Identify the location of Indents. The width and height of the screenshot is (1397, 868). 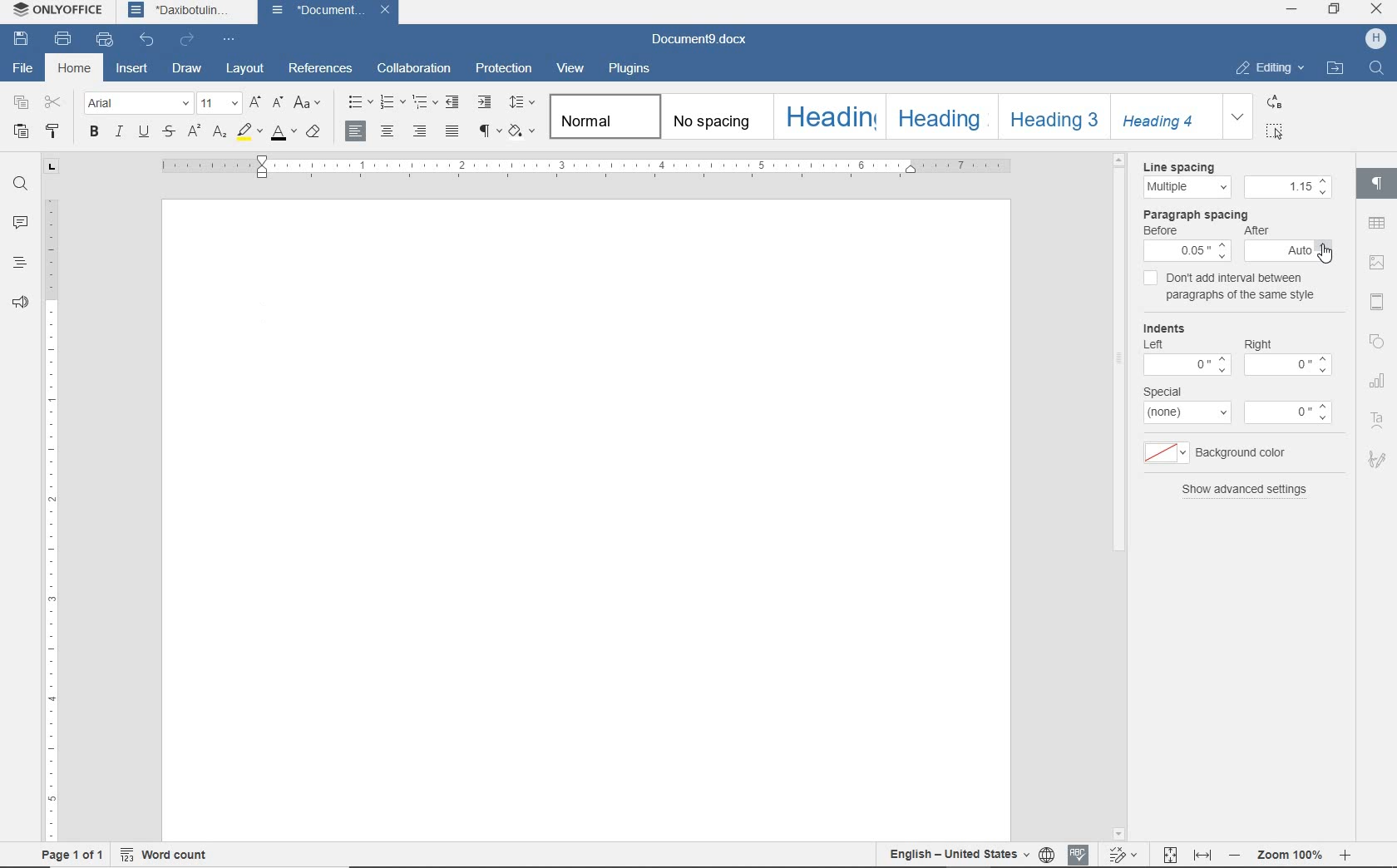
(1163, 325).